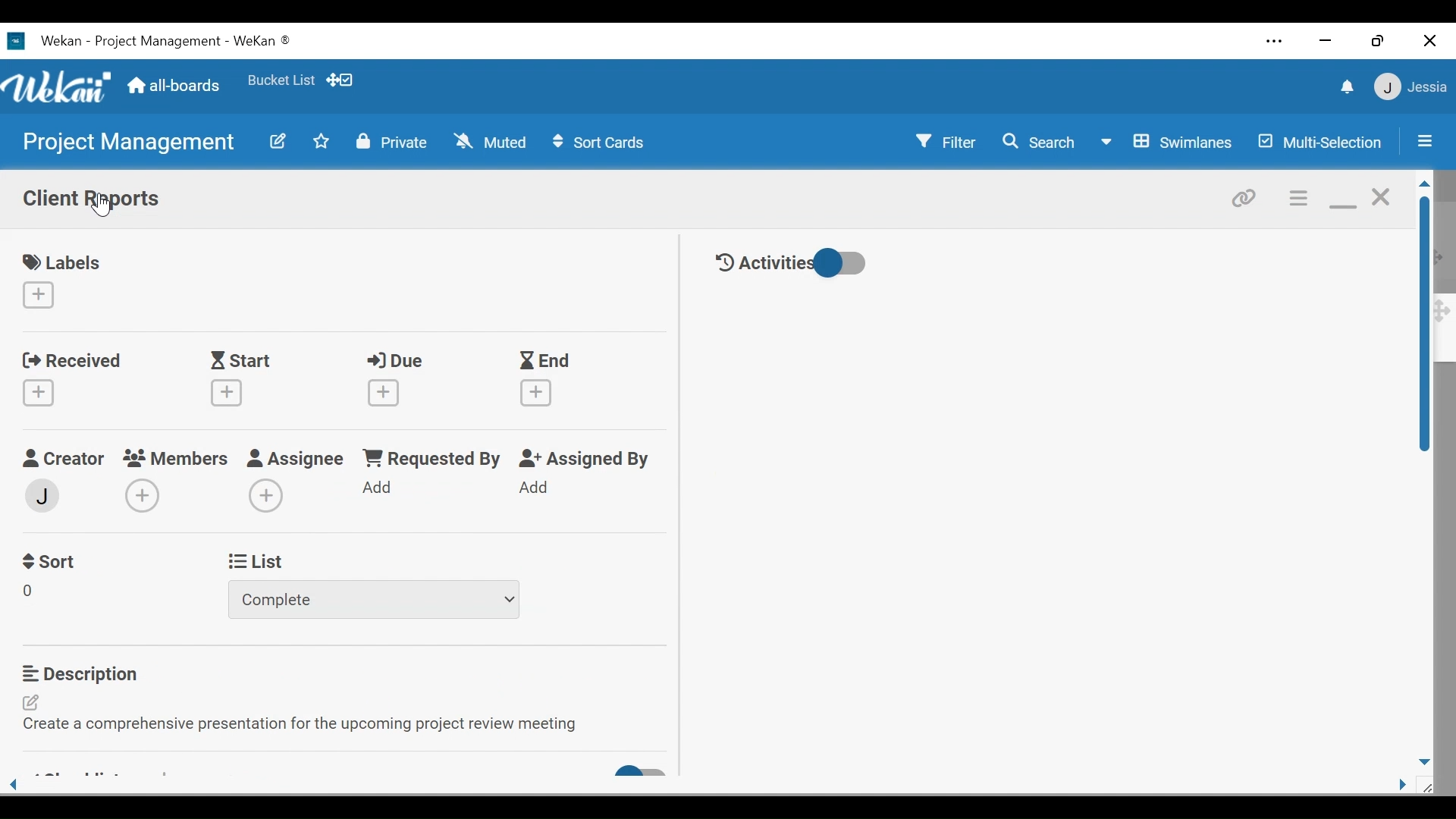  Describe the element at coordinates (371, 599) in the screenshot. I see `Dropdown list` at that location.